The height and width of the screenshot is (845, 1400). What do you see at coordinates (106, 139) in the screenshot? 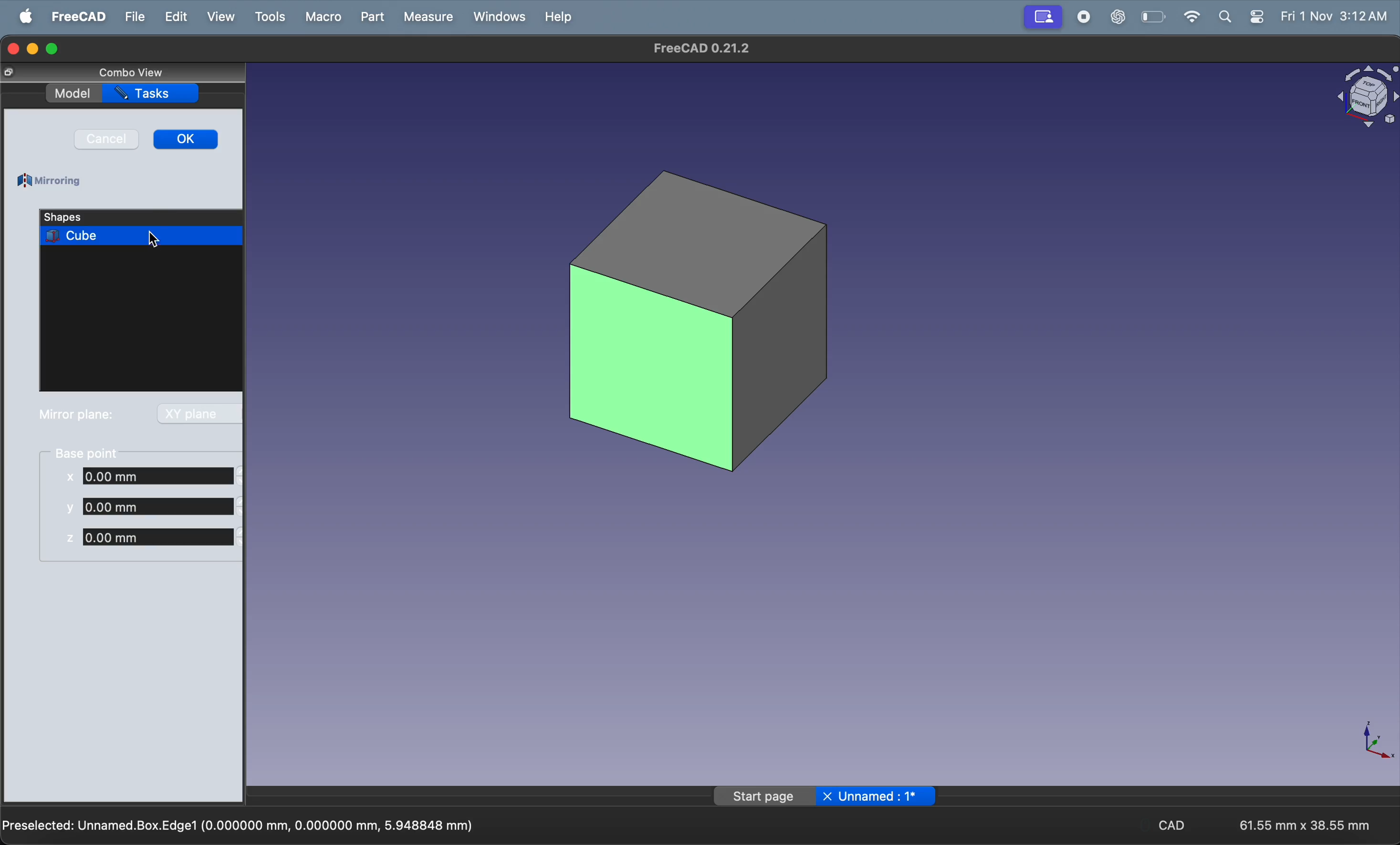
I see `cancel` at bounding box center [106, 139].